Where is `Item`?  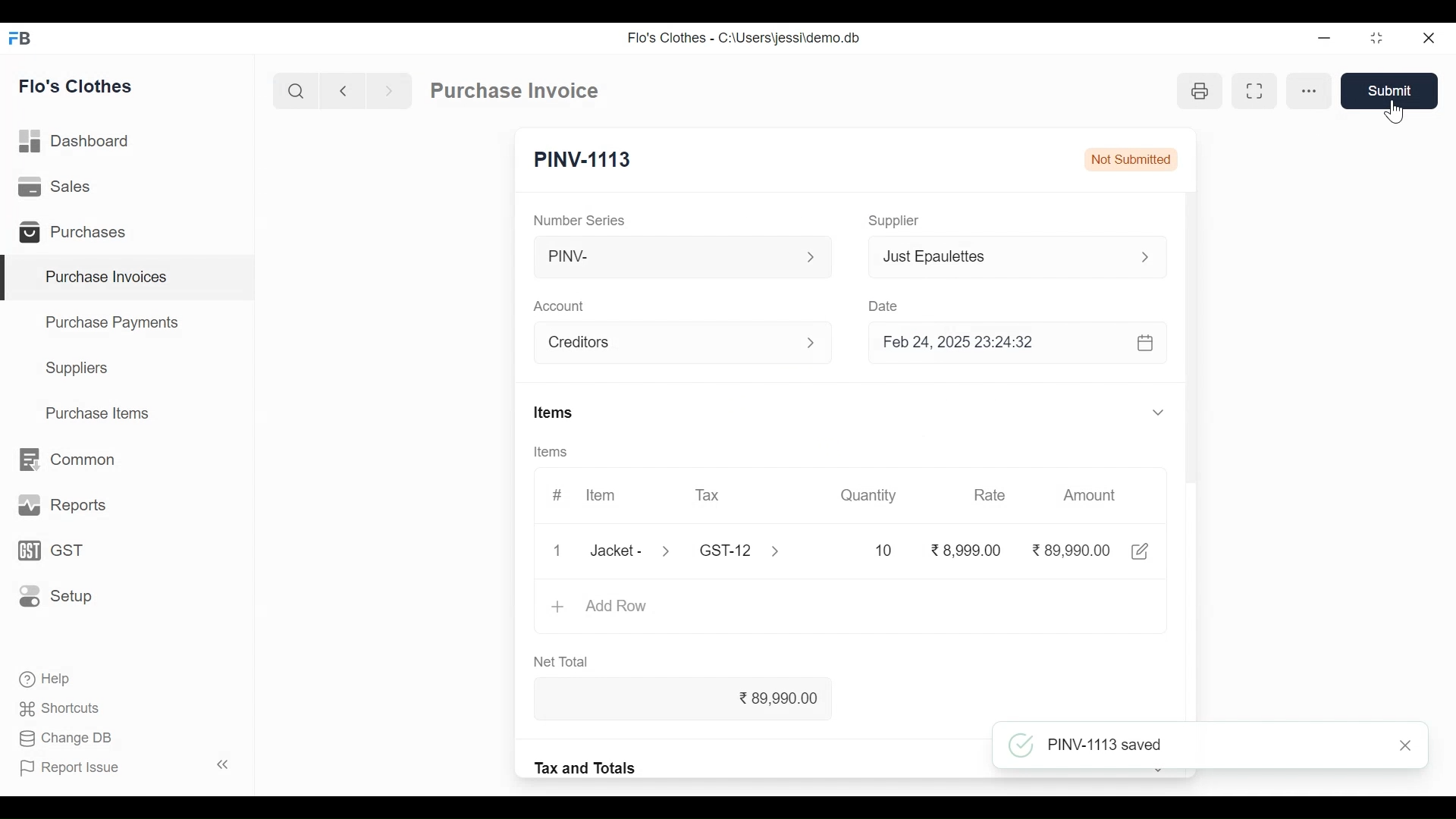 Item is located at coordinates (601, 494).